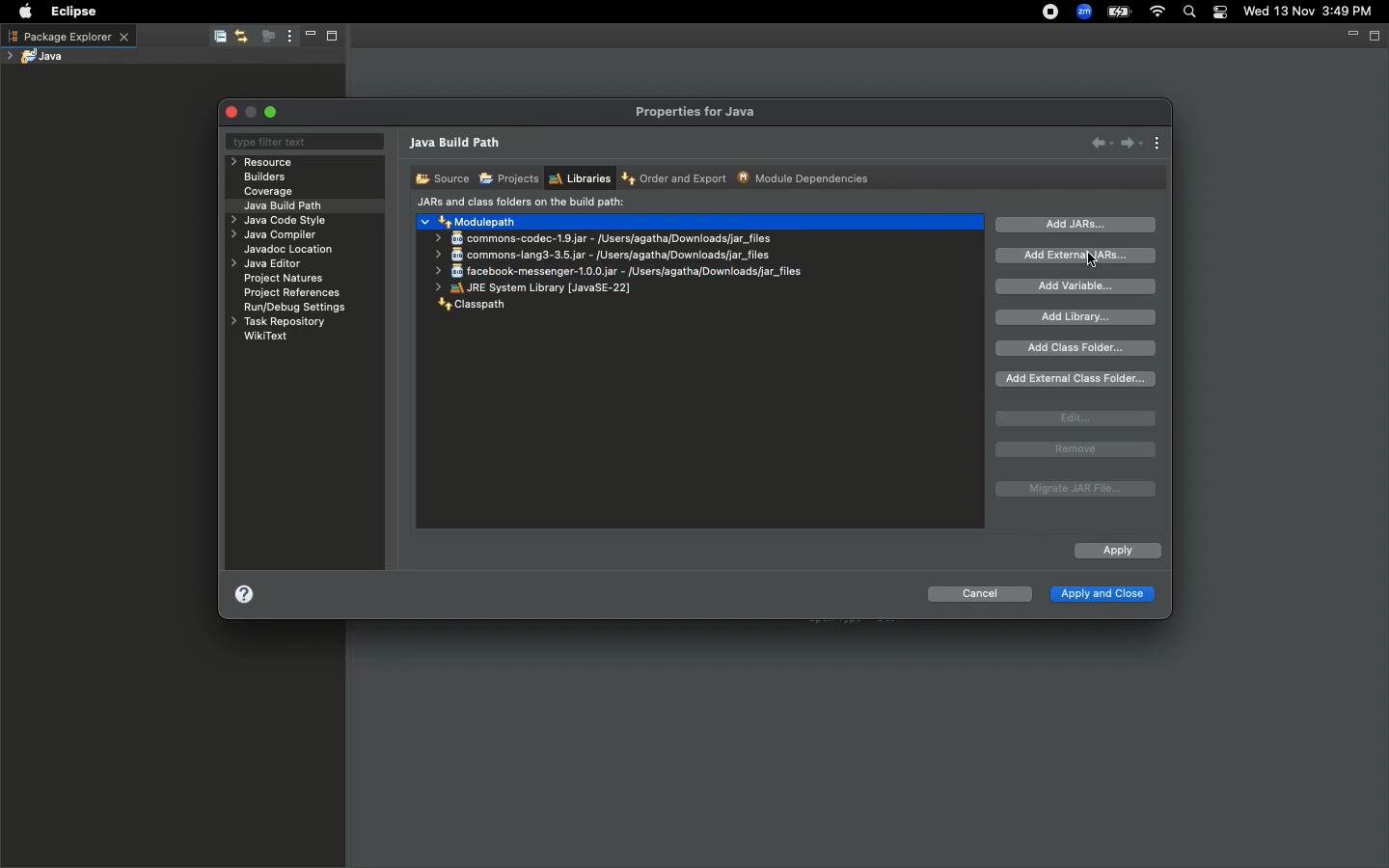 The height and width of the screenshot is (868, 1389). Describe the element at coordinates (68, 36) in the screenshot. I see `Package explorer` at that location.